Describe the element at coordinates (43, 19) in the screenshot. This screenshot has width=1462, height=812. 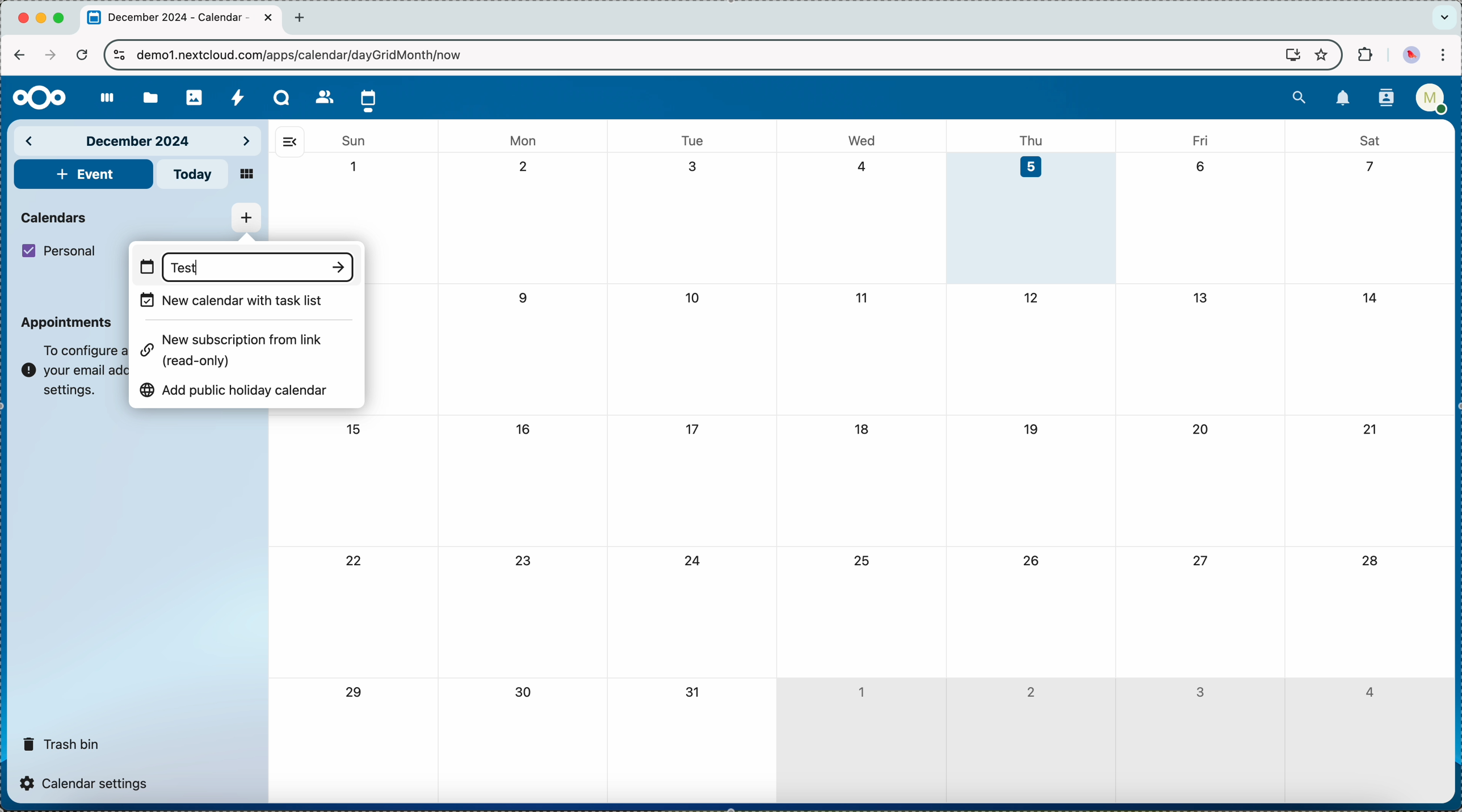
I see `minimize` at that location.